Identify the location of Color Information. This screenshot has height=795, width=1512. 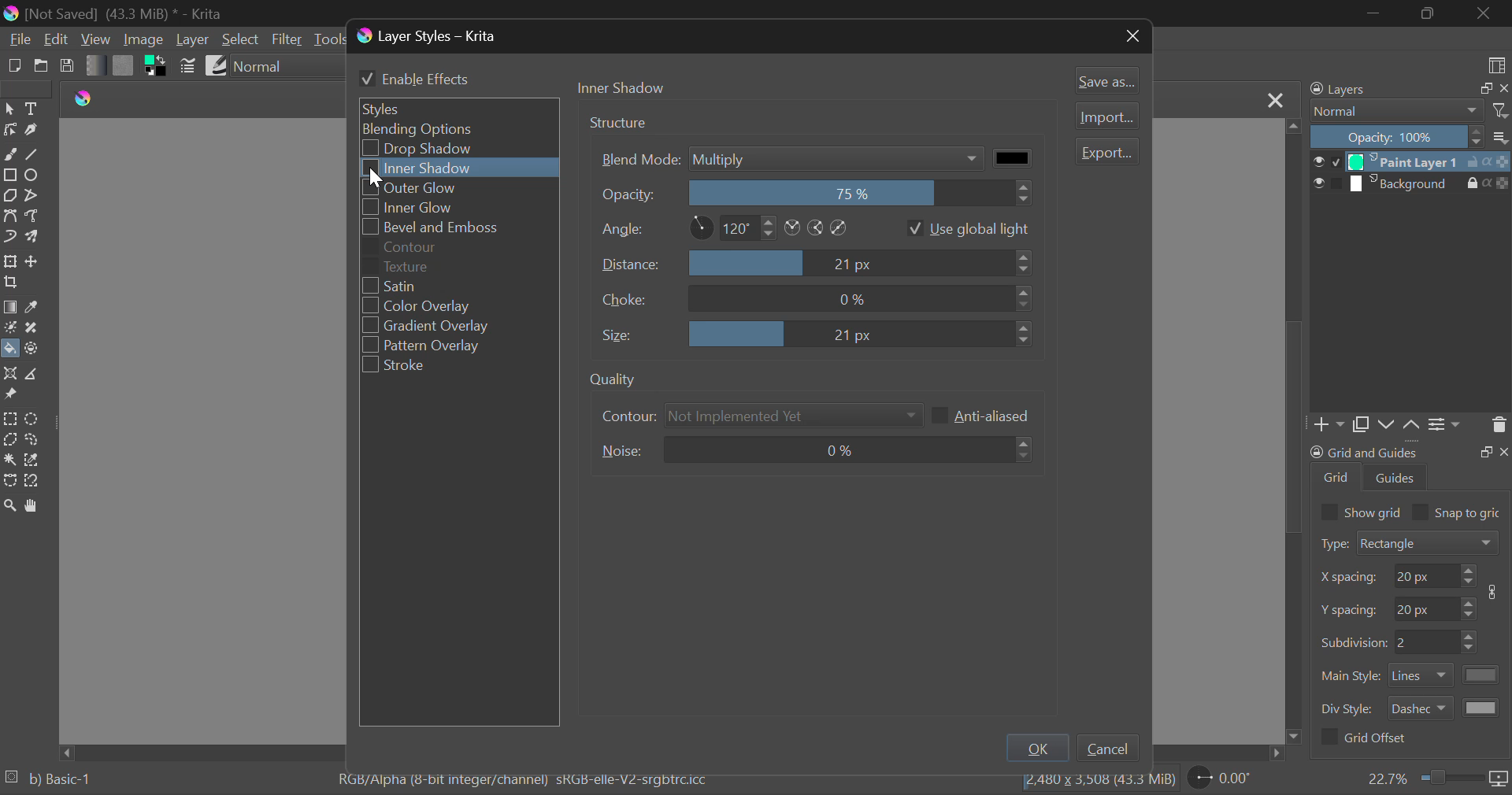
(517, 786).